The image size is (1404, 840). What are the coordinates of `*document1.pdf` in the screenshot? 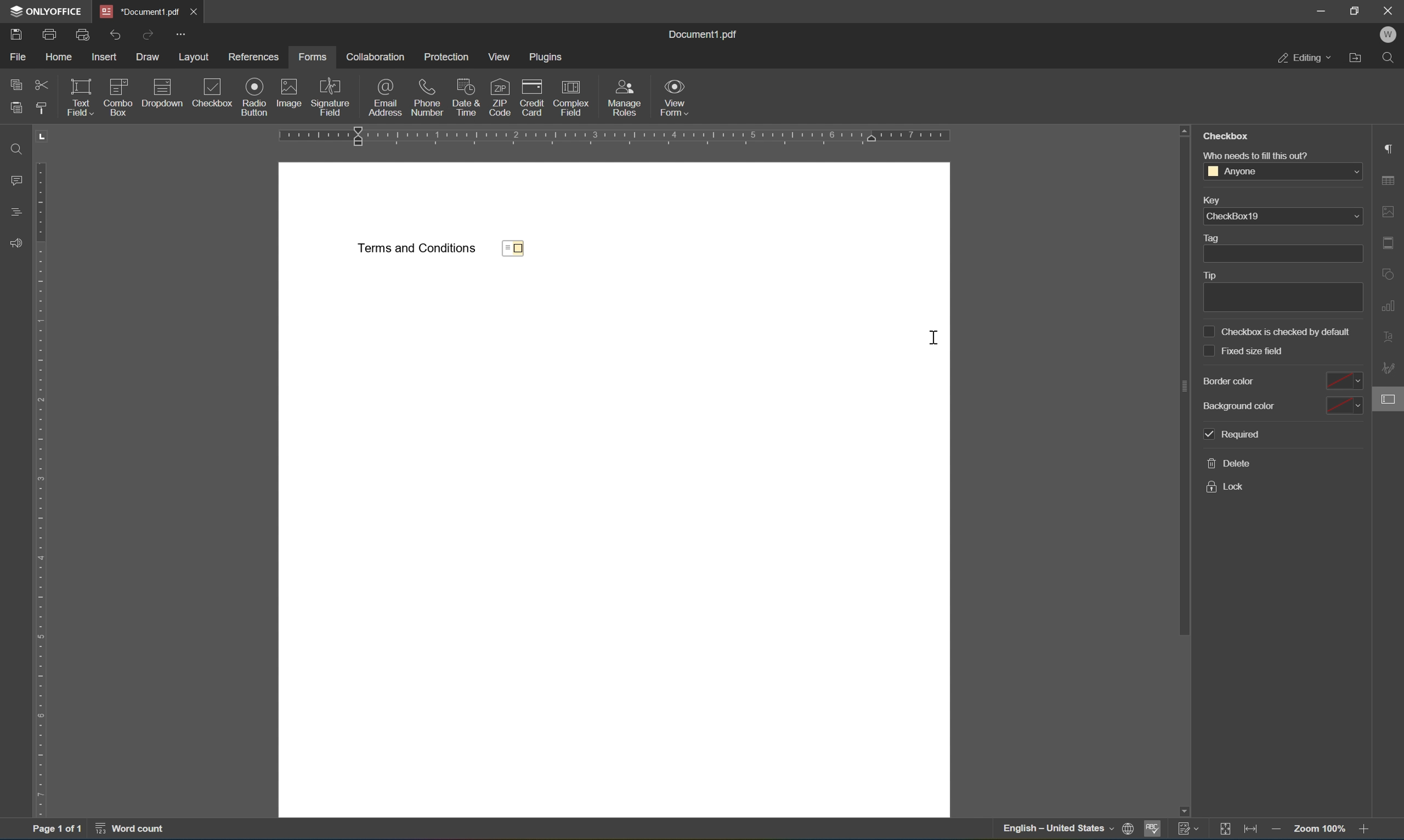 It's located at (137, 11).